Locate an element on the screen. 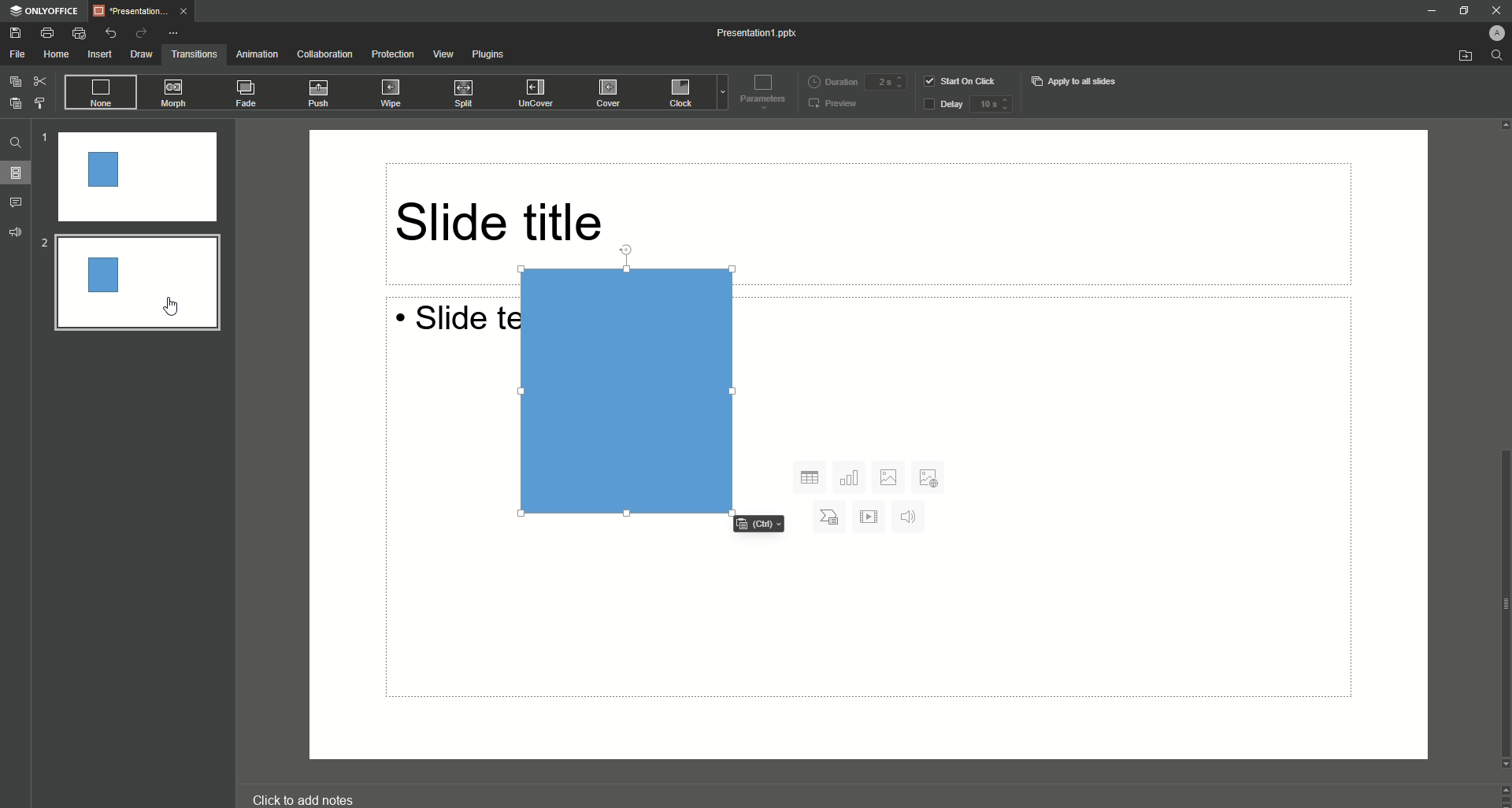  Presentation 1 is located at coordinates (760, 35).